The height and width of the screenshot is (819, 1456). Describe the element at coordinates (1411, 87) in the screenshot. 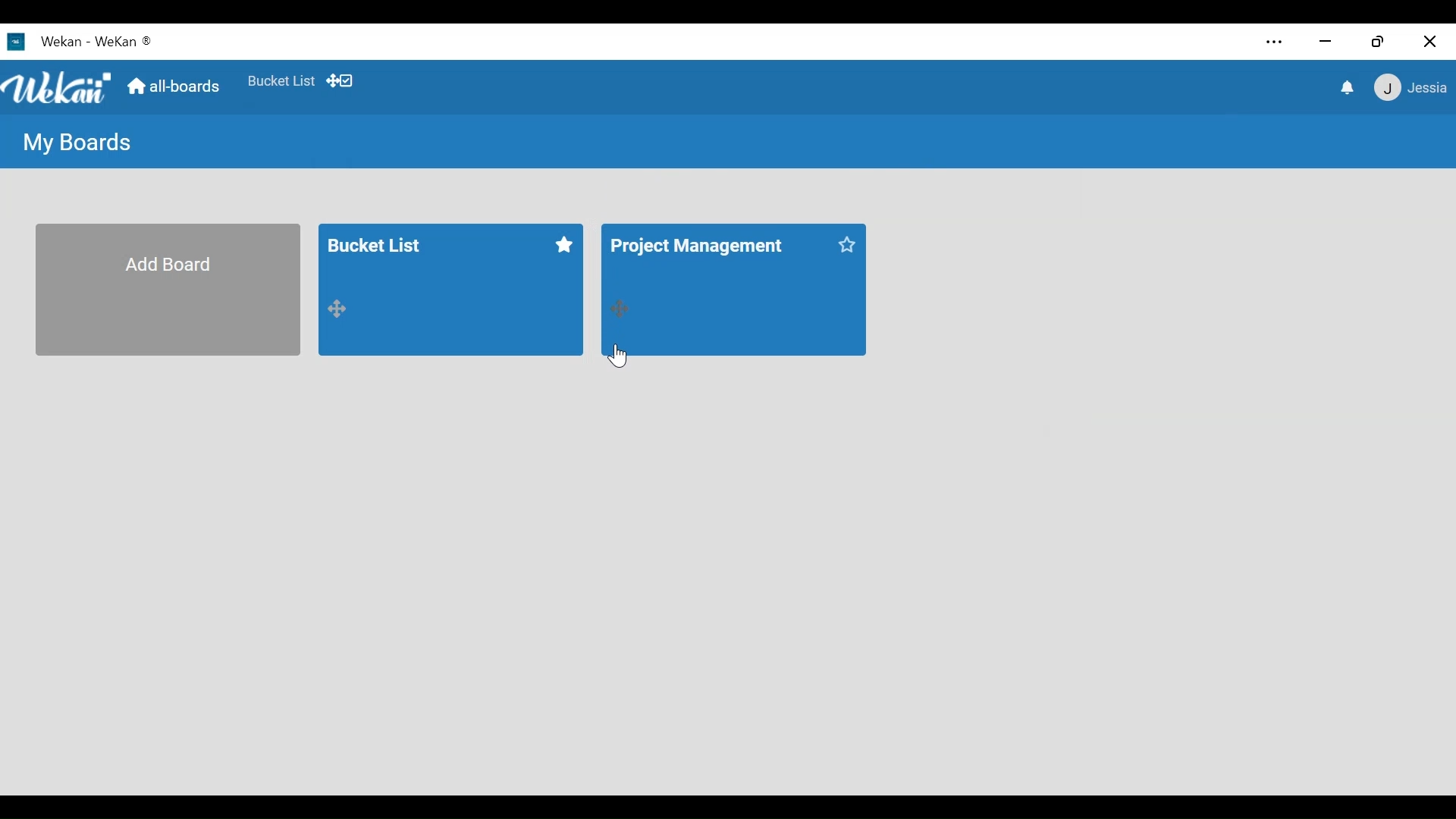

I see `Member Settings` at that location.